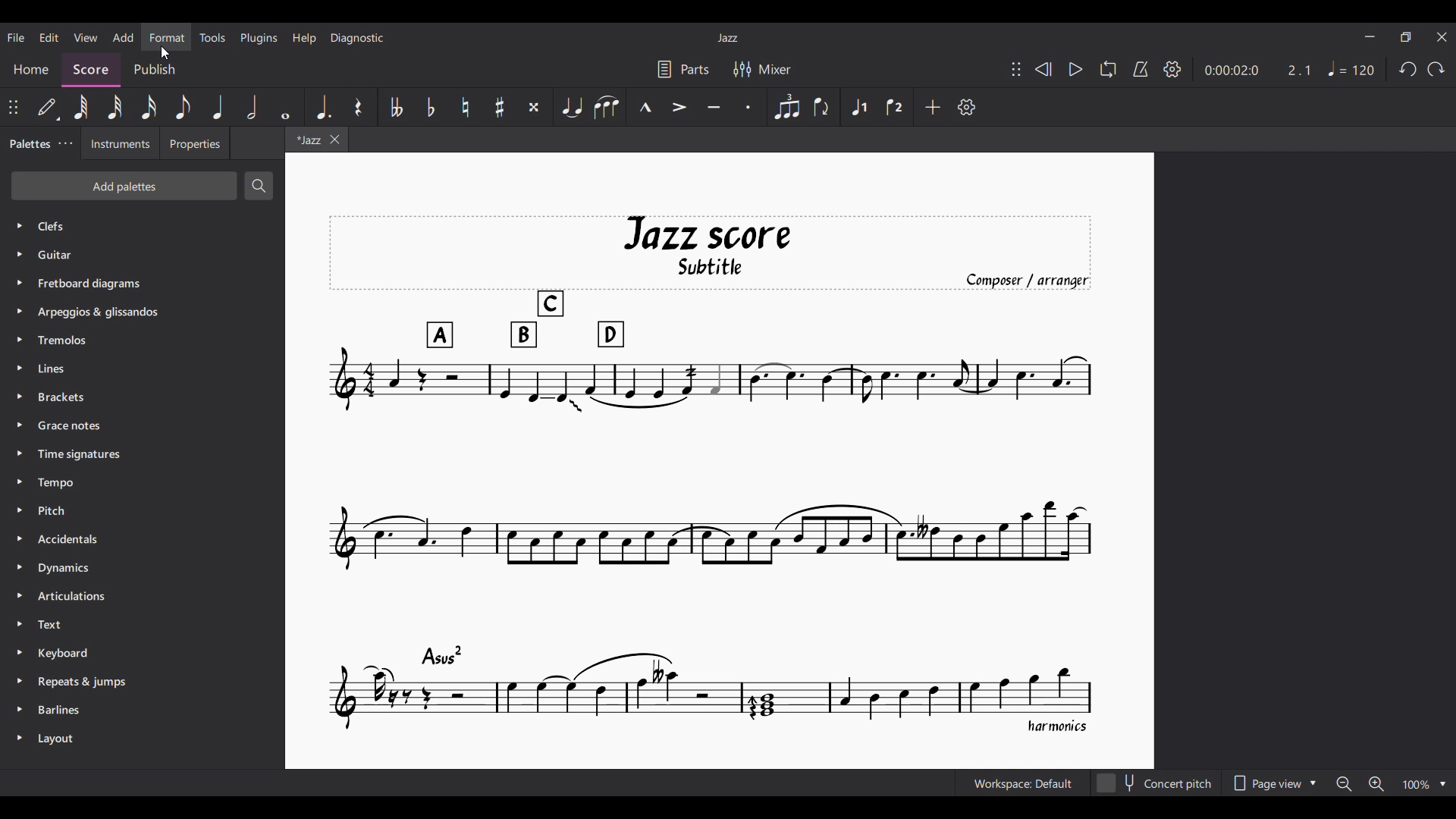 Image resolution: width=1456 pixels, height=819 pixels. I want to click on Current score, so click(711, 474).